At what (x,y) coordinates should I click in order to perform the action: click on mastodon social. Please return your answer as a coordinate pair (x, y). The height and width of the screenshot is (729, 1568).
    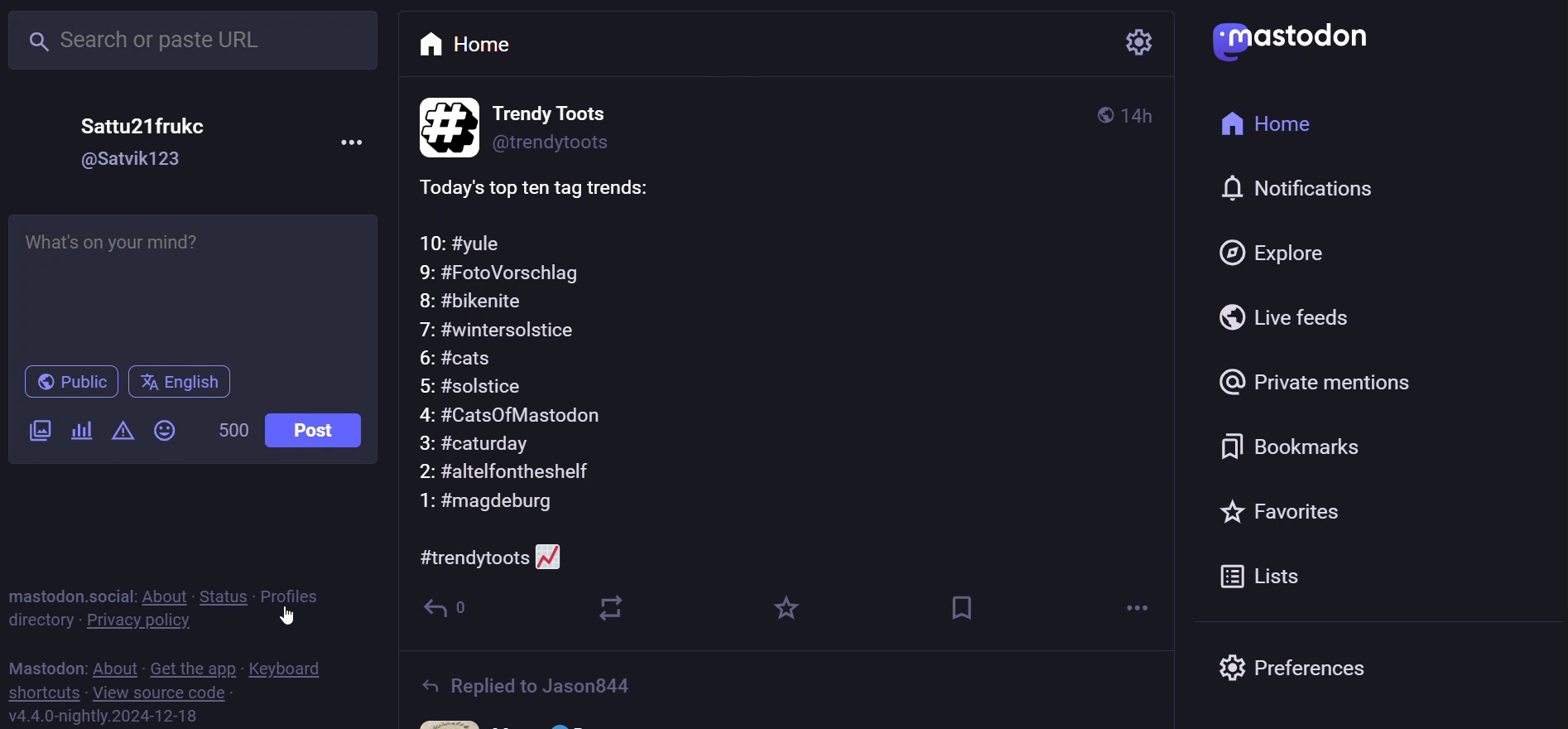
    Looking at the image, I should click on (65, 595).